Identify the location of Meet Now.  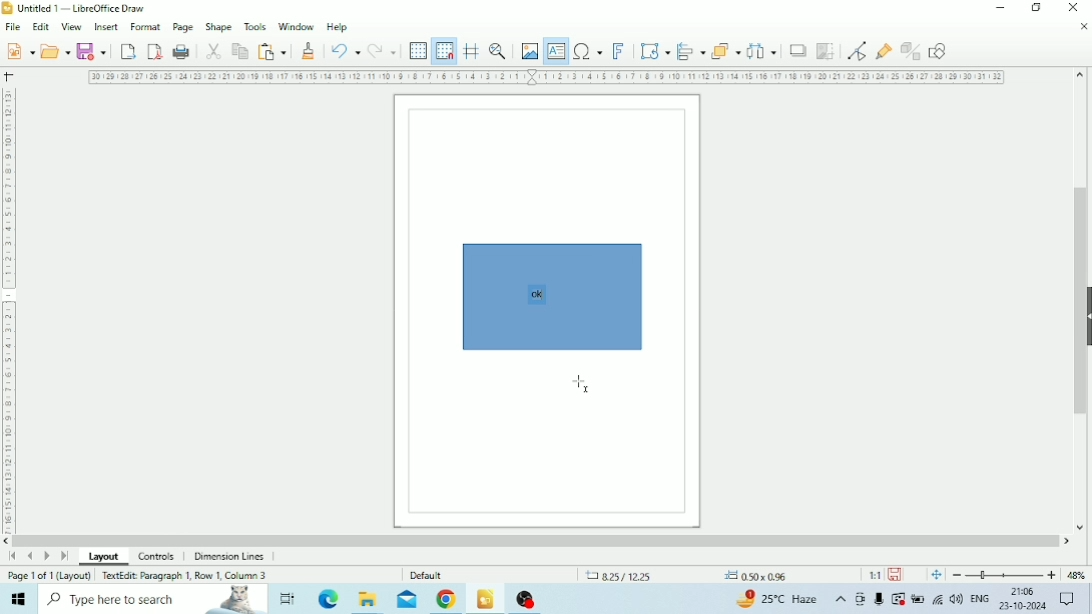
(860, 599).